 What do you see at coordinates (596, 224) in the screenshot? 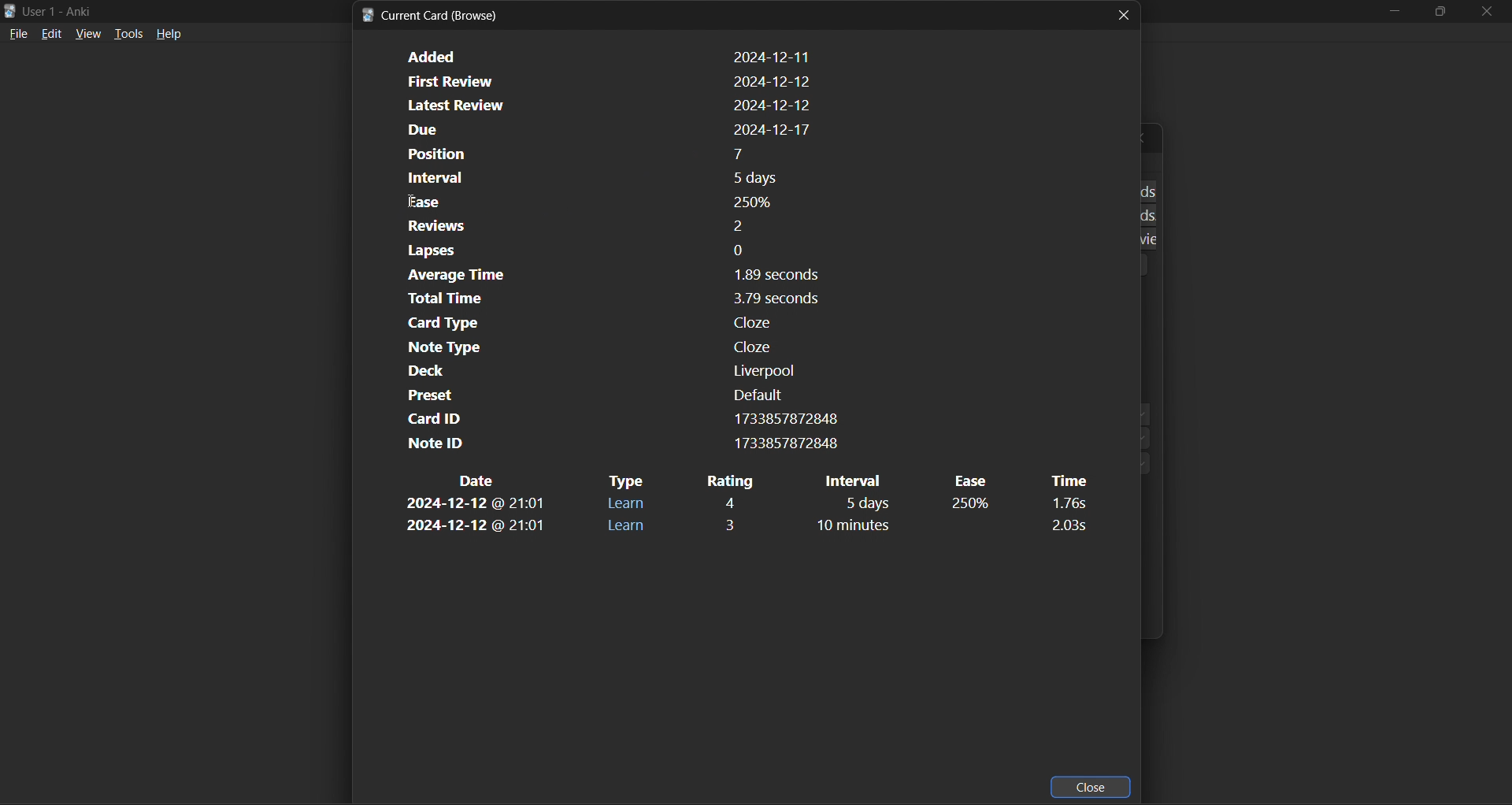
I see `card reviews` at bounding box center [596, 224].